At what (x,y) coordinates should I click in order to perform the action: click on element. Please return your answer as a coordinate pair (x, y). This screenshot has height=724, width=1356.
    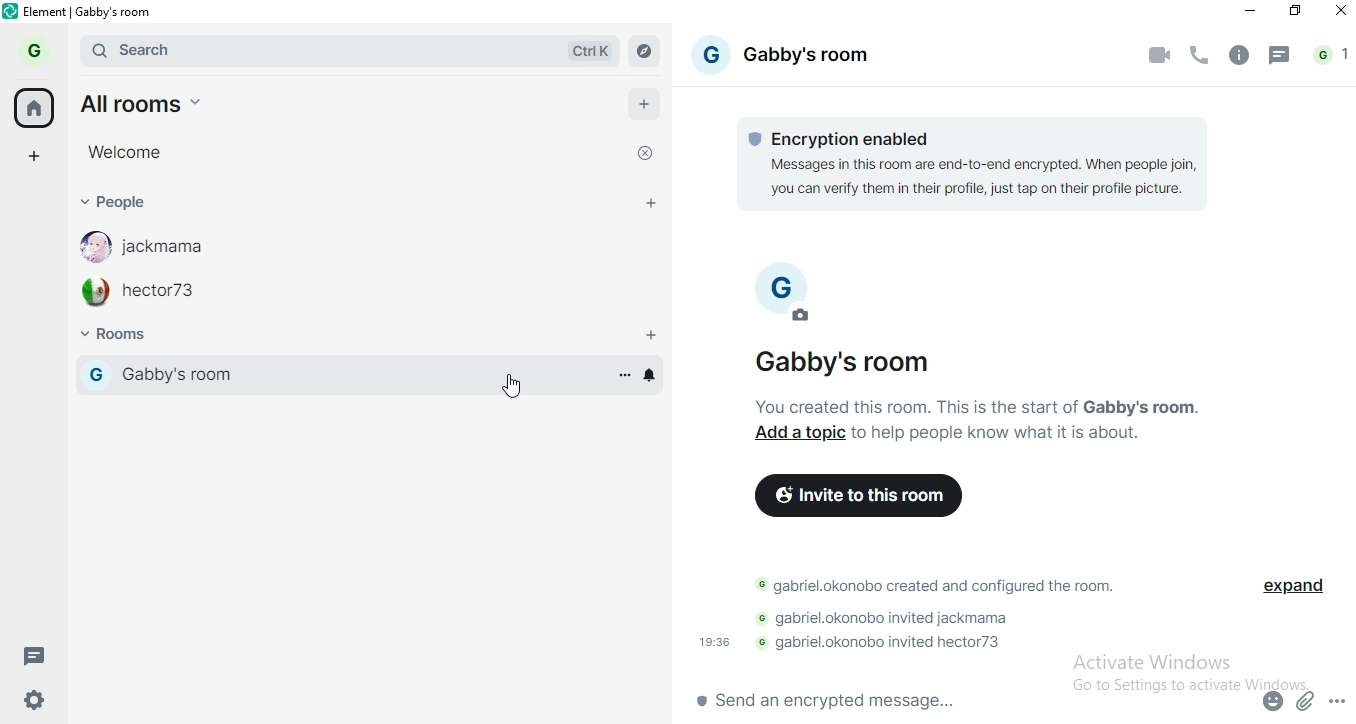
    Looking at the image, I should click on (93, 11).